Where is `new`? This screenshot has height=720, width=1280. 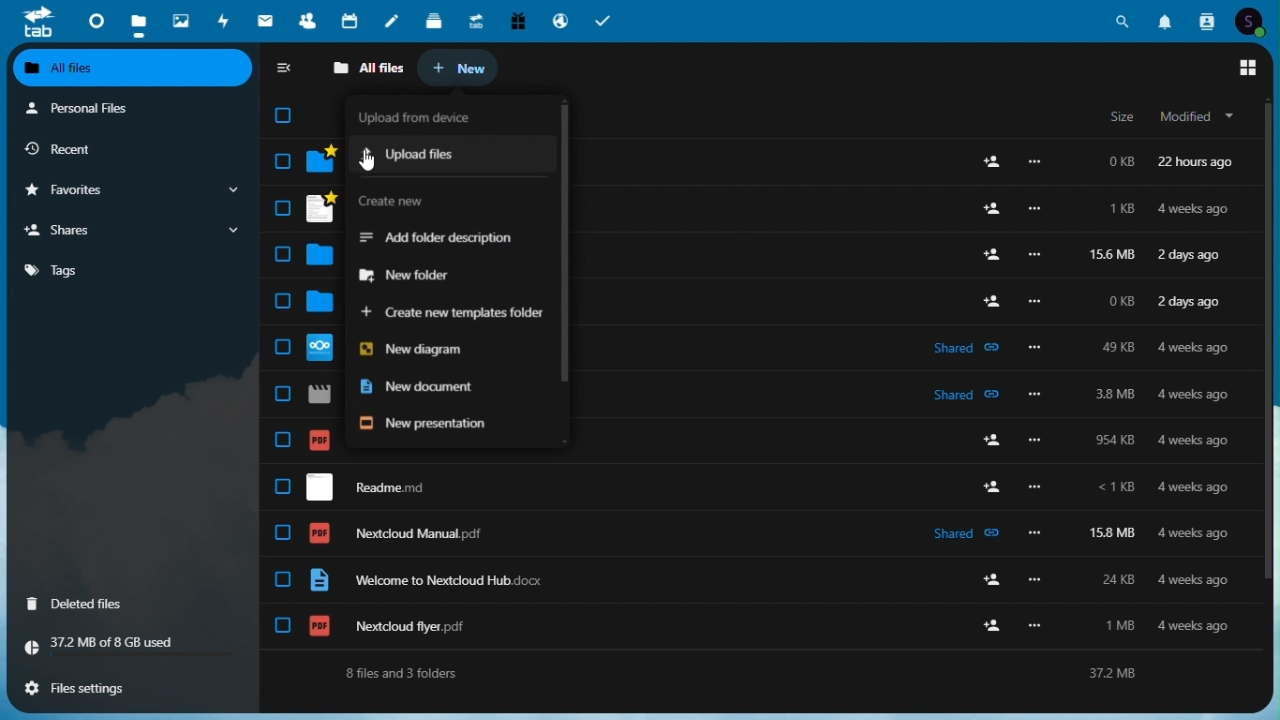
new is located at coordinates (460, 69).